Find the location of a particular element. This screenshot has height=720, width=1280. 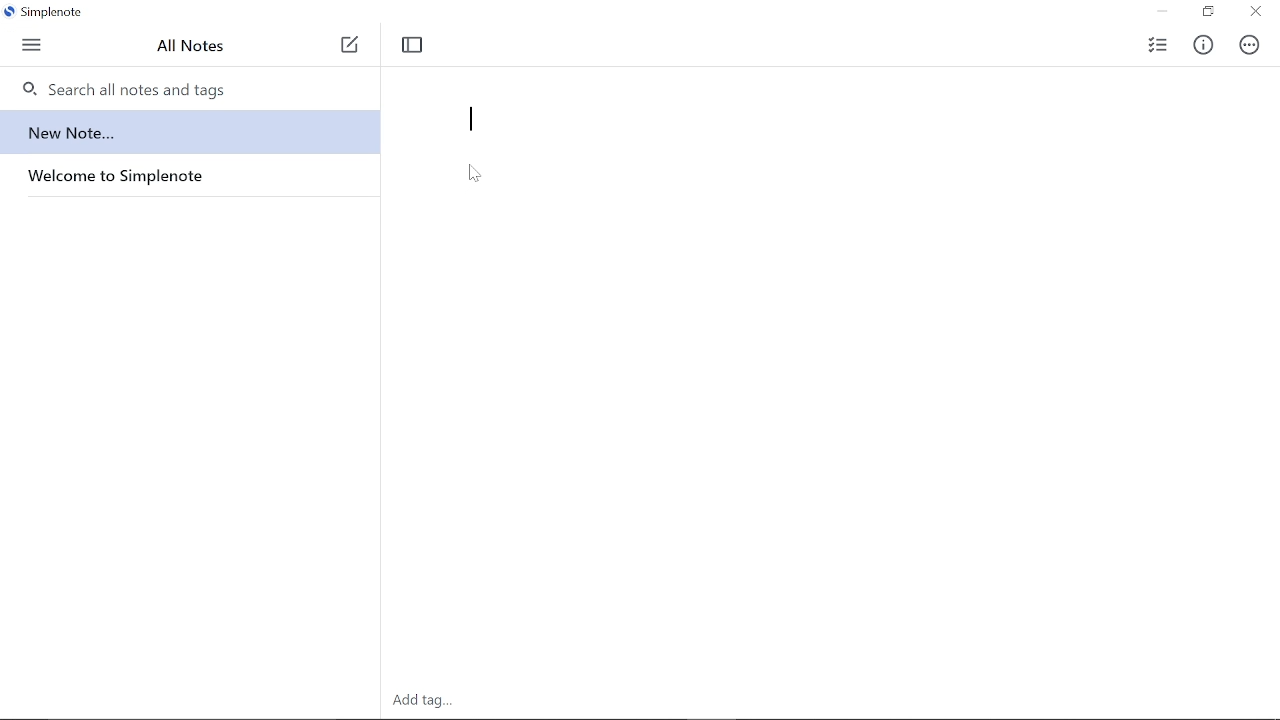

Minimize is located at coordinates (1160, 13).